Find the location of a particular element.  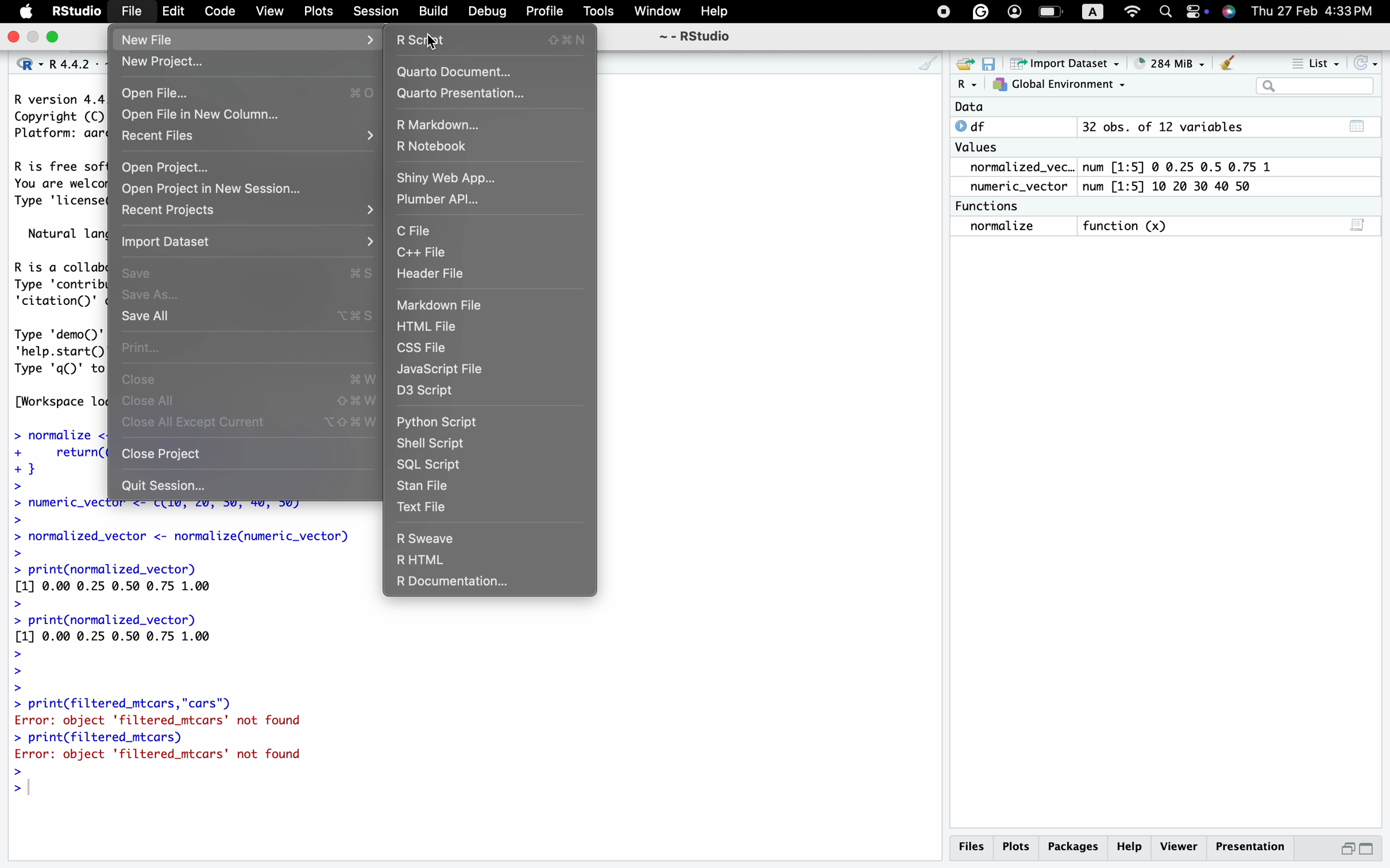

Import Dataset is located at coordinates (1062, 64).